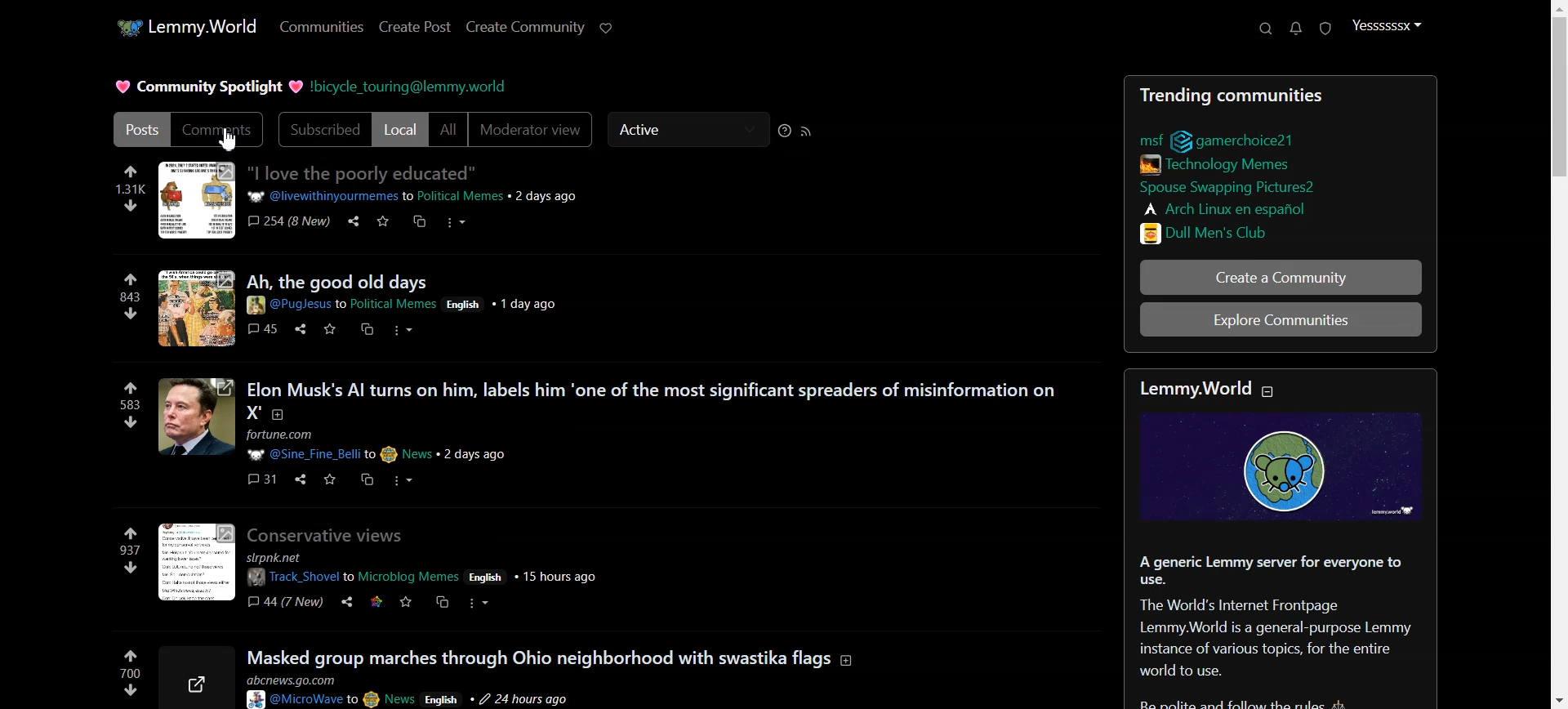  What do you see at coordinates (131, 188) in the screenshot?
I see `1.31k` at bounding box center [131, 188].